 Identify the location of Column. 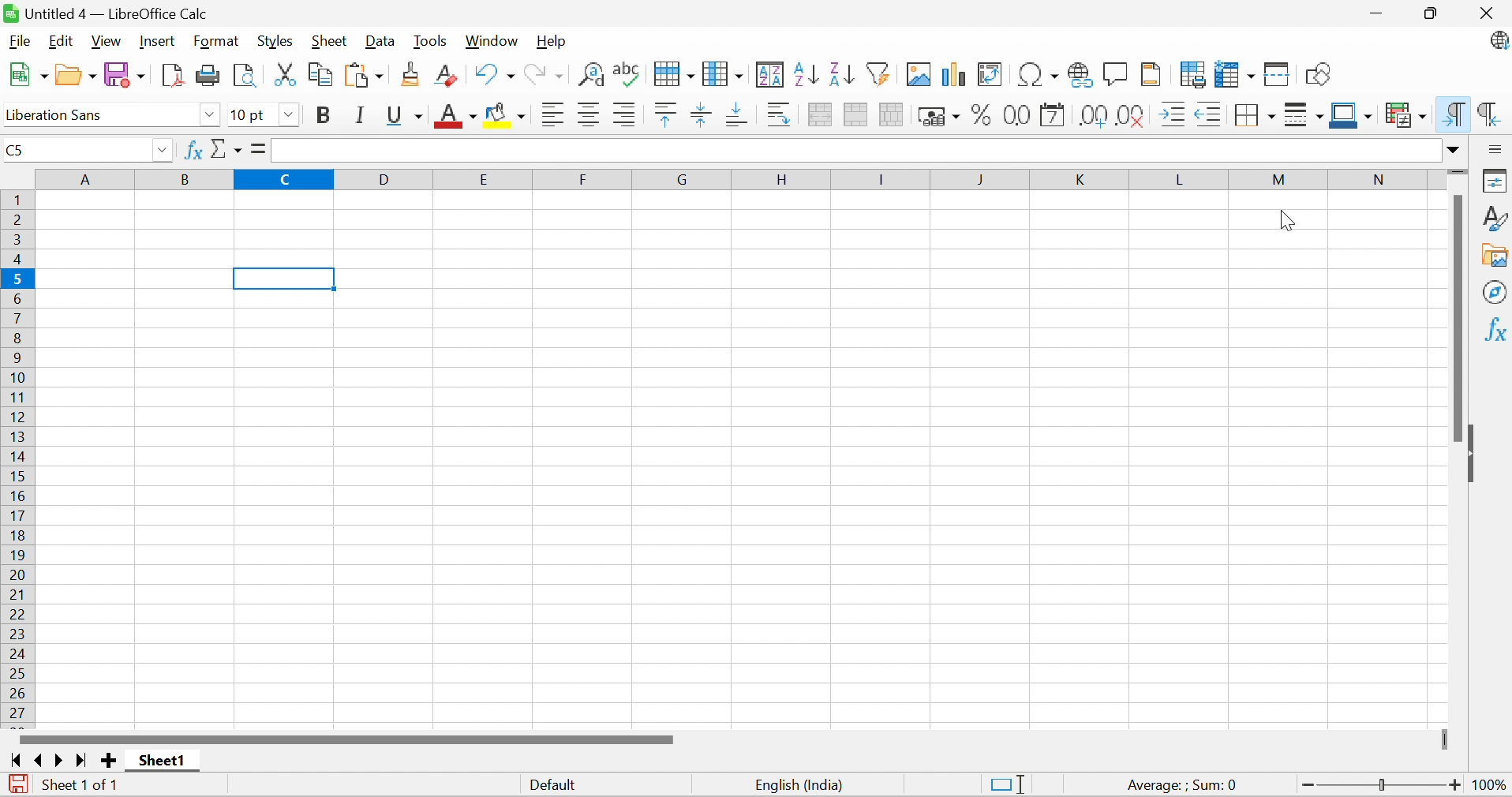
(723, 73).